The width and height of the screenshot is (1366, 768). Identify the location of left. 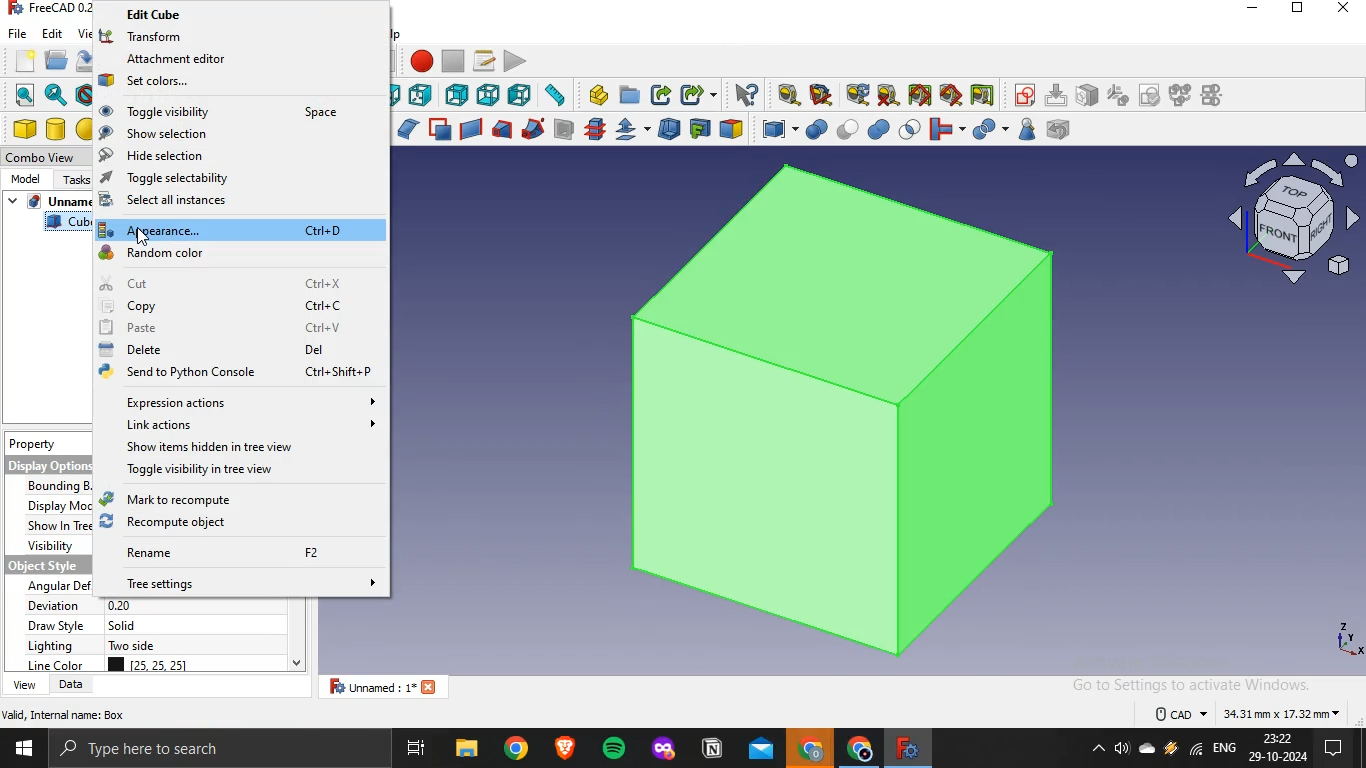
(520, 94).